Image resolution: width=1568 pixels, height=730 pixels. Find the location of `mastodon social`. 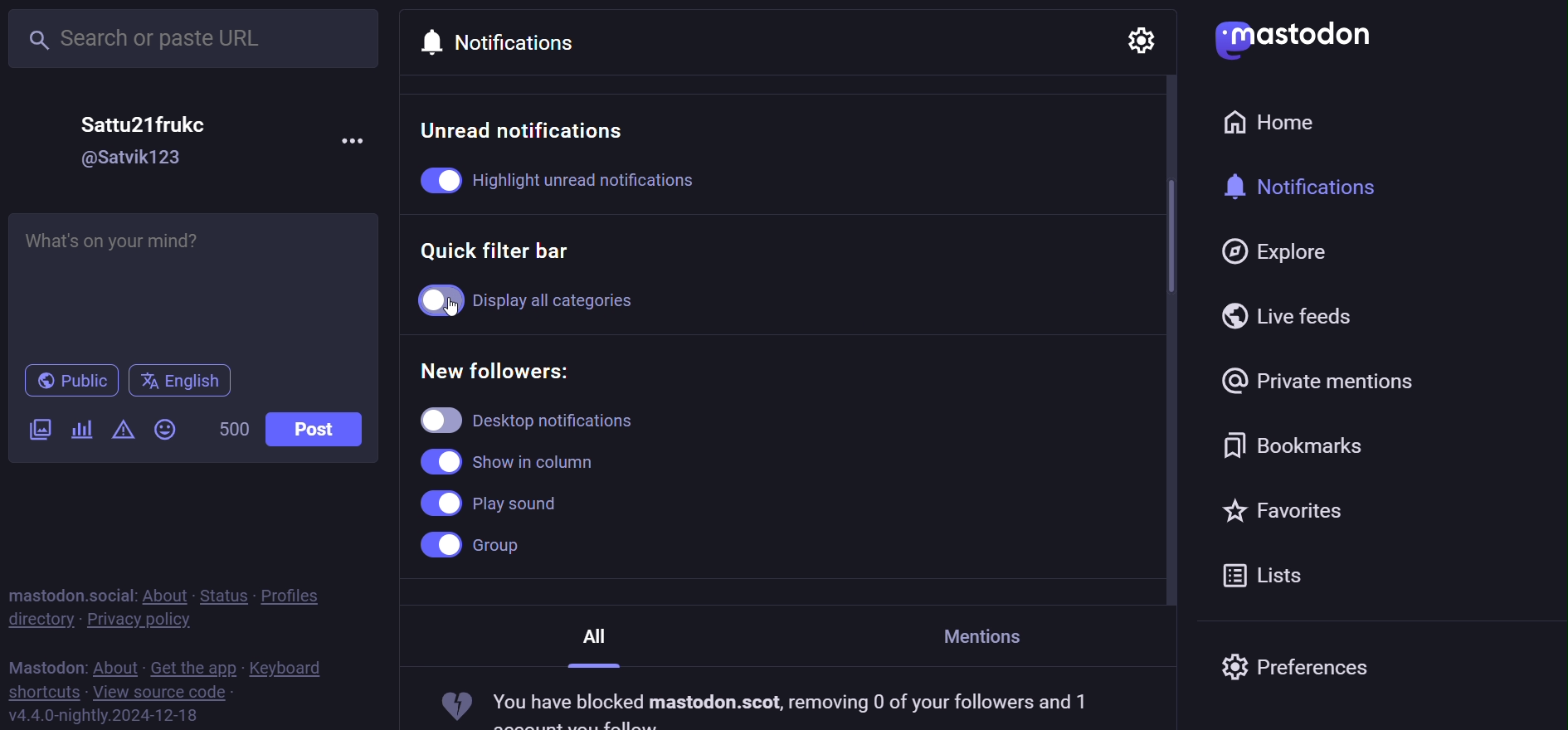

mastodon social is located at coordinates (70, 592).